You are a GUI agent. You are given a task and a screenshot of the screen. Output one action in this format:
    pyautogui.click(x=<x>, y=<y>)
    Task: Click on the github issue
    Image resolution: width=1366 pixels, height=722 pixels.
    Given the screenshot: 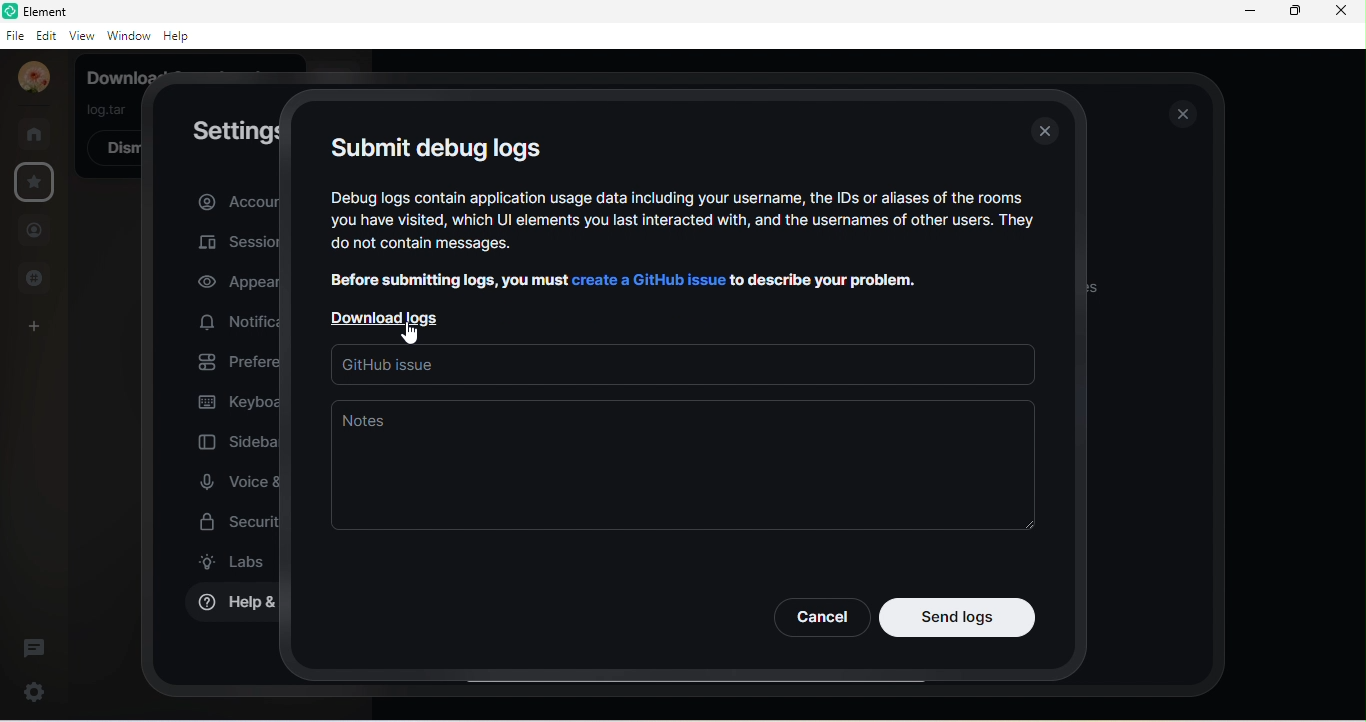 What is the action you would take?
    pyautogui.click(x=369, y=347)
    